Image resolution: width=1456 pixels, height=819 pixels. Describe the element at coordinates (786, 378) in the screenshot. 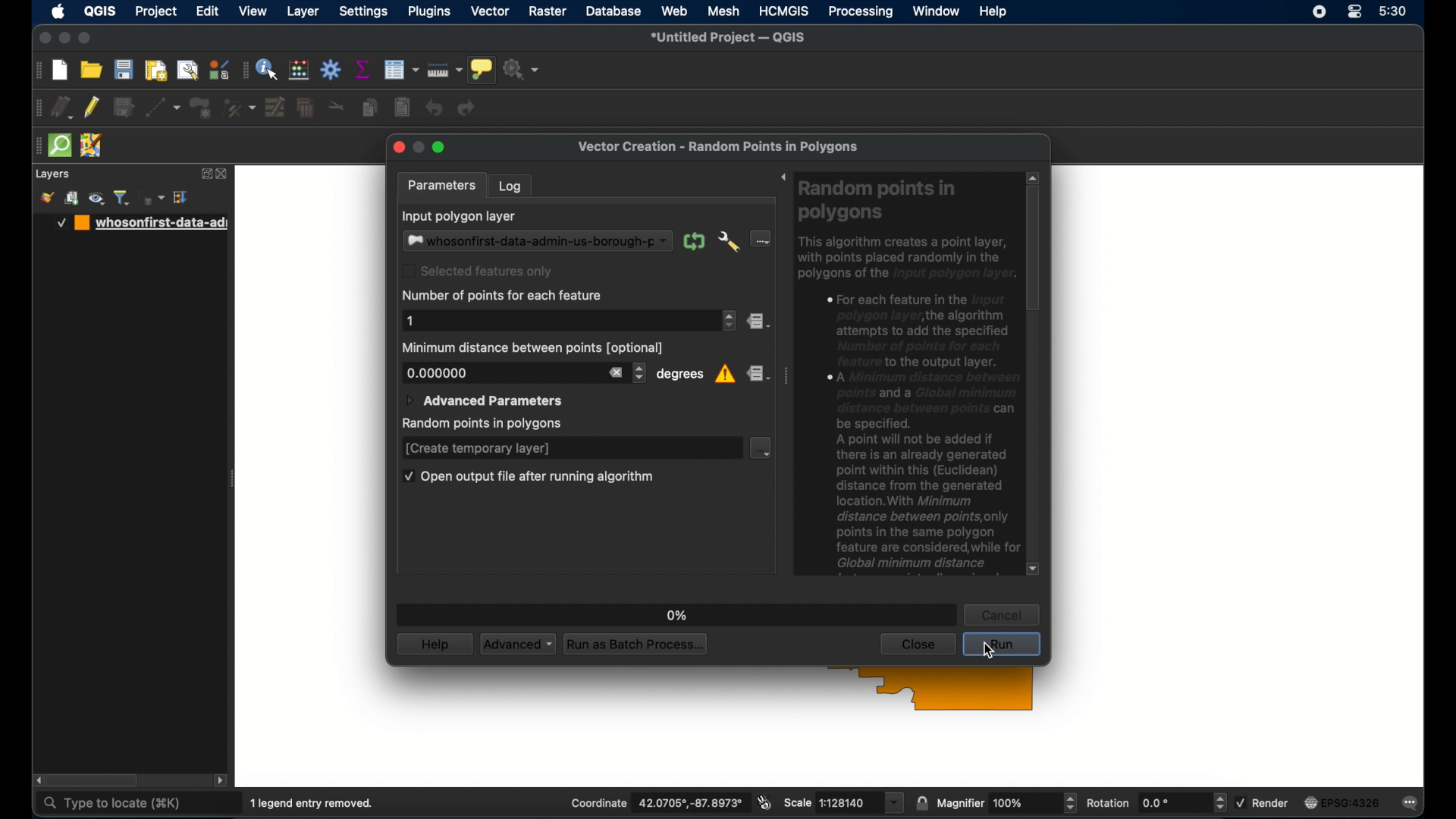

I see `drag handle` at that location.